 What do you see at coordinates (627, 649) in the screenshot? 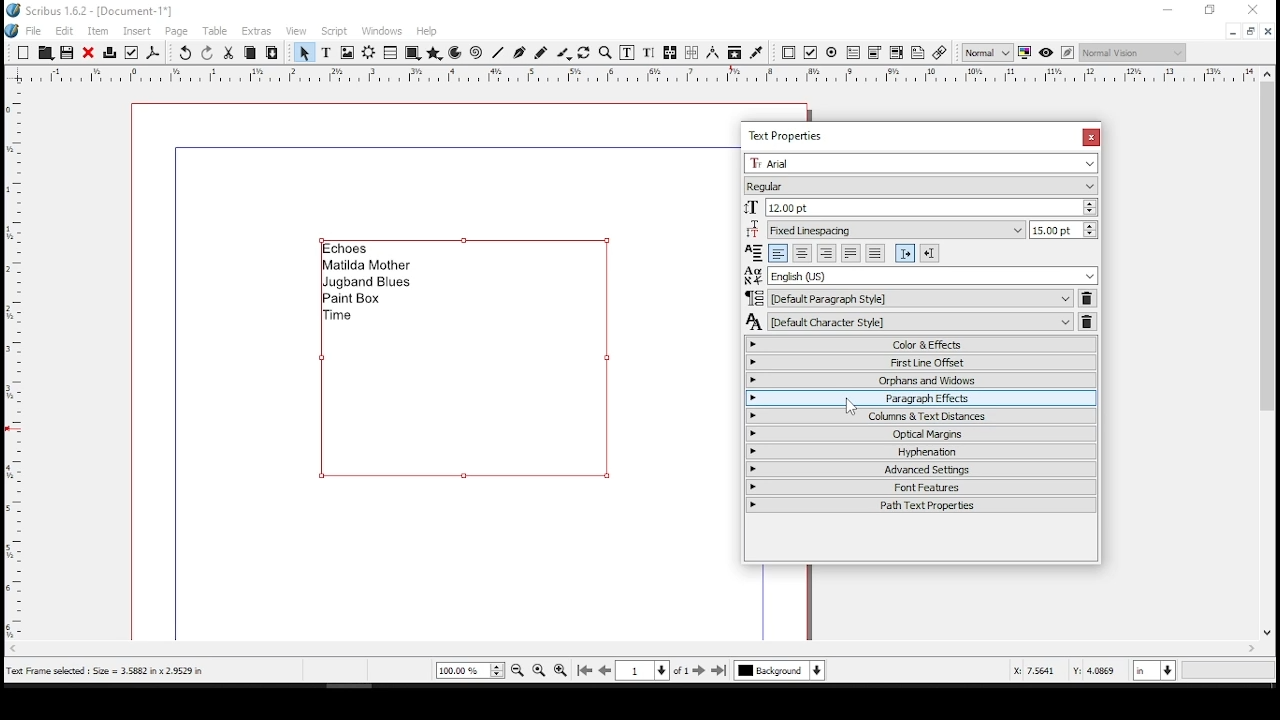
I see `scroll bar` at bounding box center [627, 649].